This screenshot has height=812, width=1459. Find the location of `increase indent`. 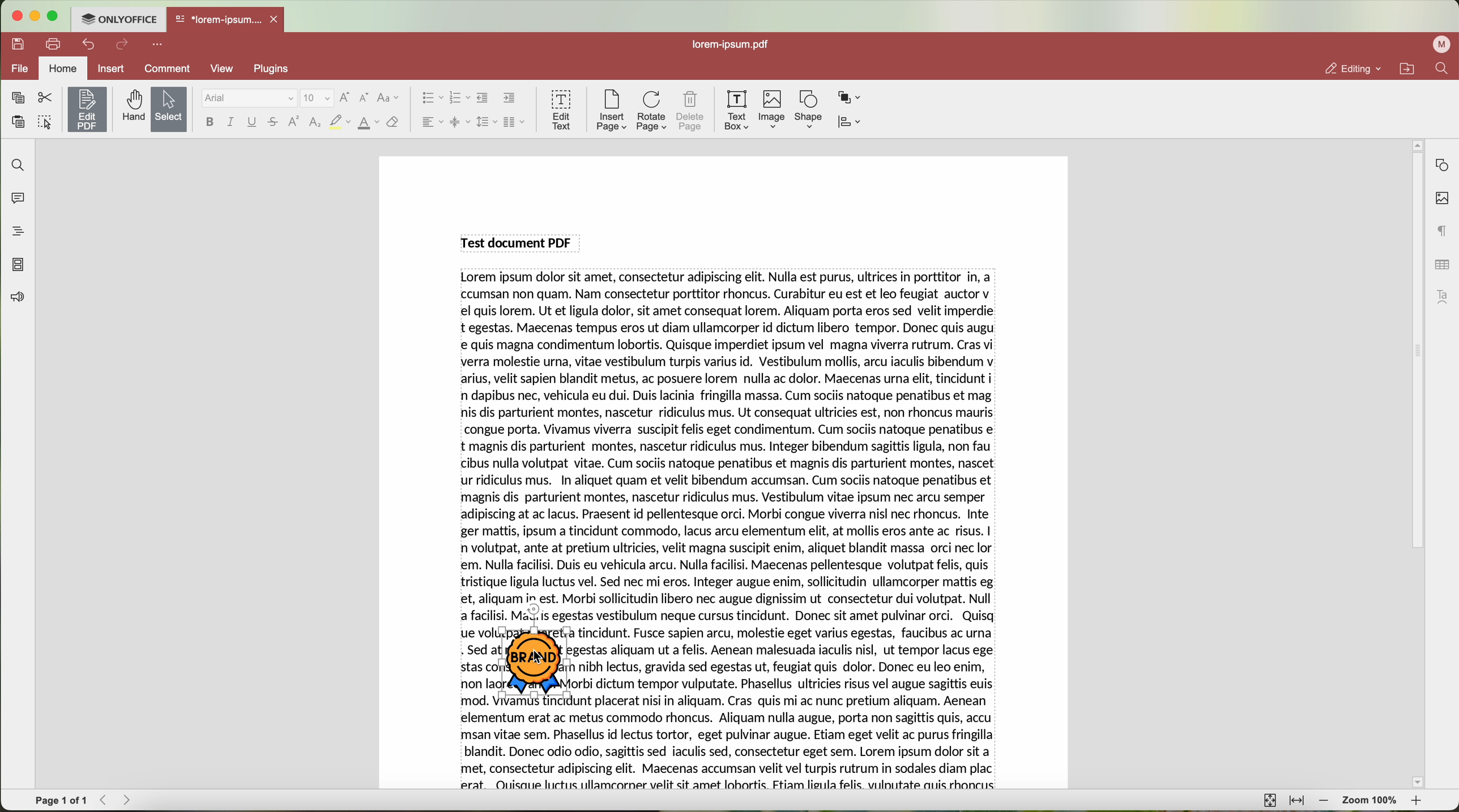

increase indent is located at coordinates (510, 97).